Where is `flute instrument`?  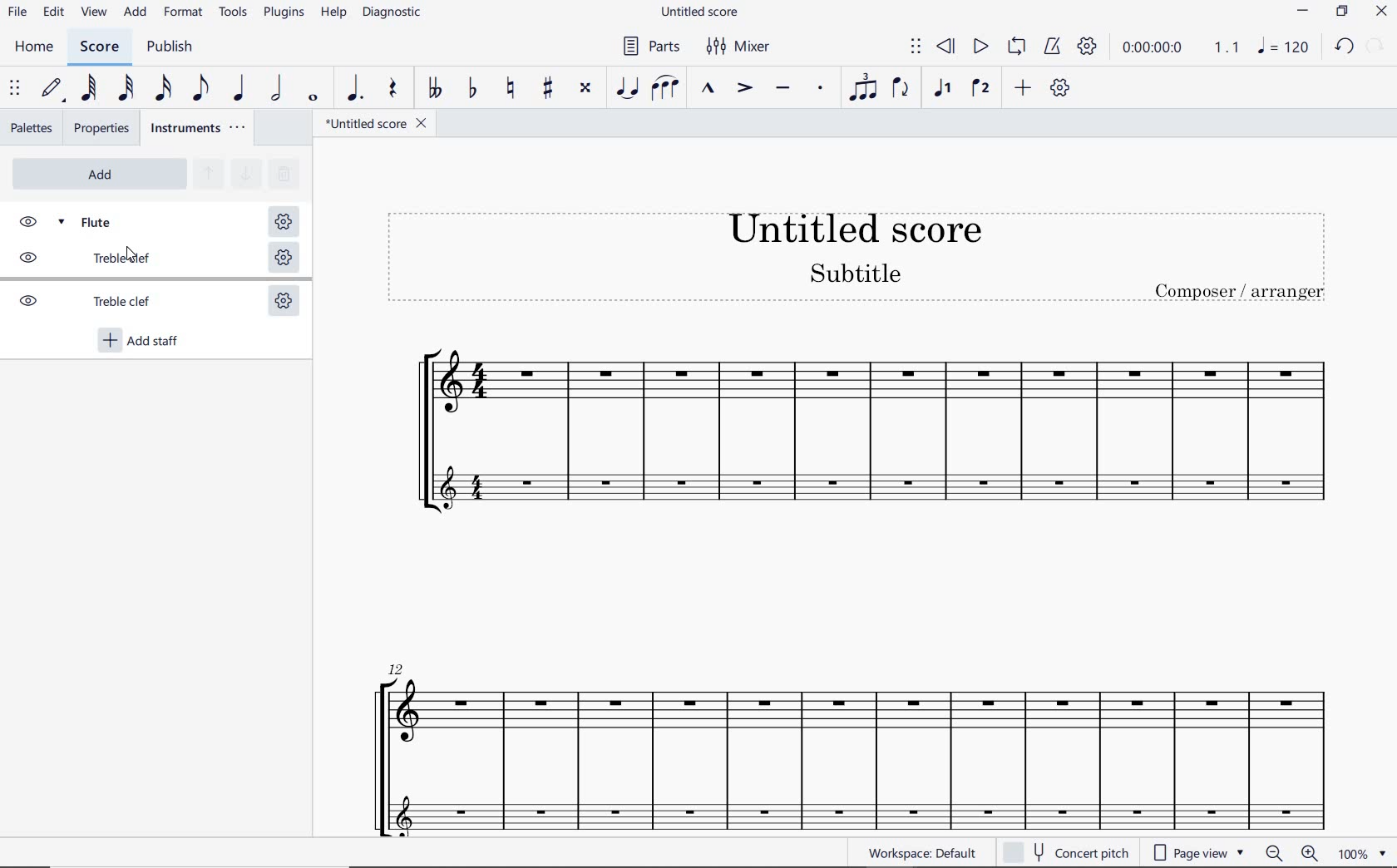 flute instrument is located at coordinates (846, 720).